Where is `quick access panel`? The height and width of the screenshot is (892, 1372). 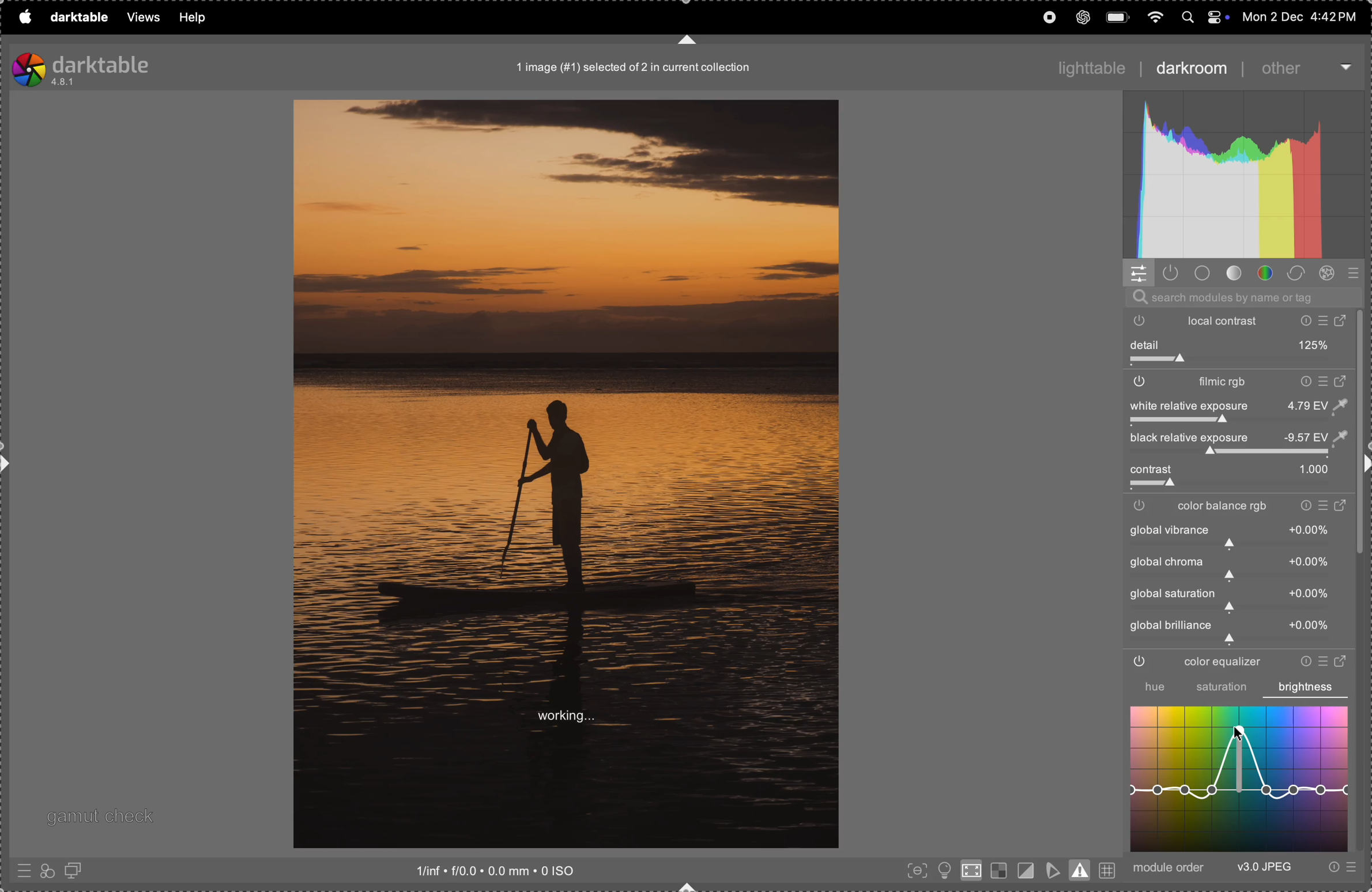 quick access panel is located at coordinates (1139, 273).